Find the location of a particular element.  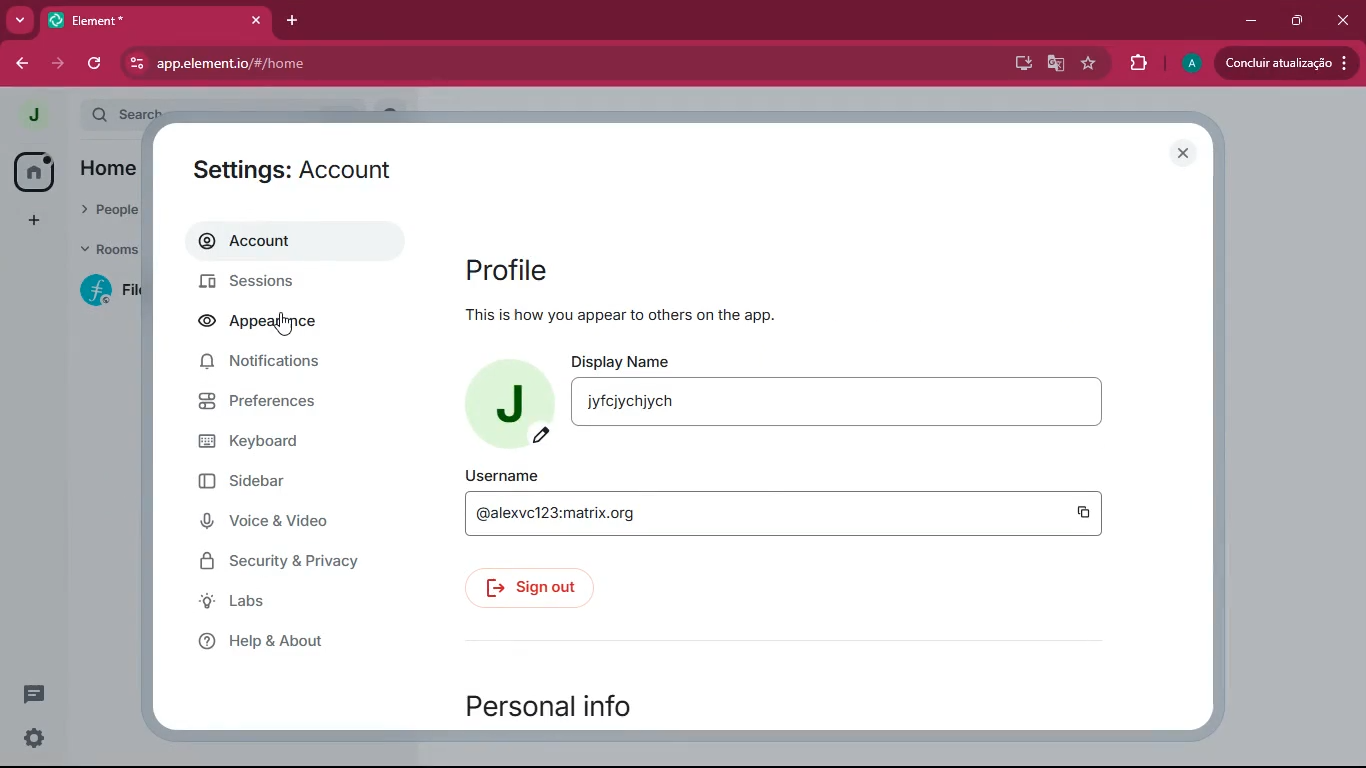

preferences is located at coordinates (291, 404).